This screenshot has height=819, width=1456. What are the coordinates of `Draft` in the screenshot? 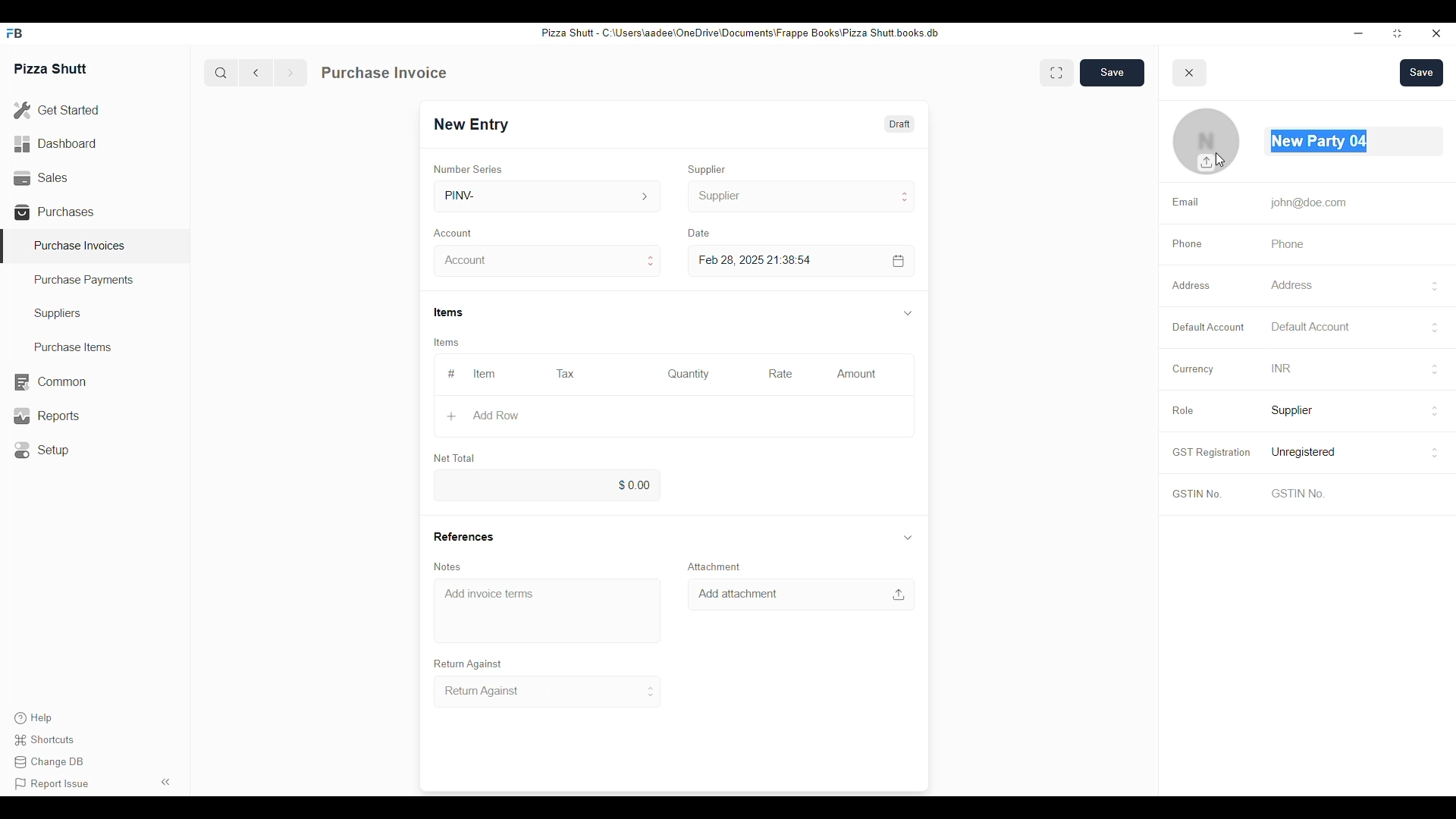 It's located at (898, 124).